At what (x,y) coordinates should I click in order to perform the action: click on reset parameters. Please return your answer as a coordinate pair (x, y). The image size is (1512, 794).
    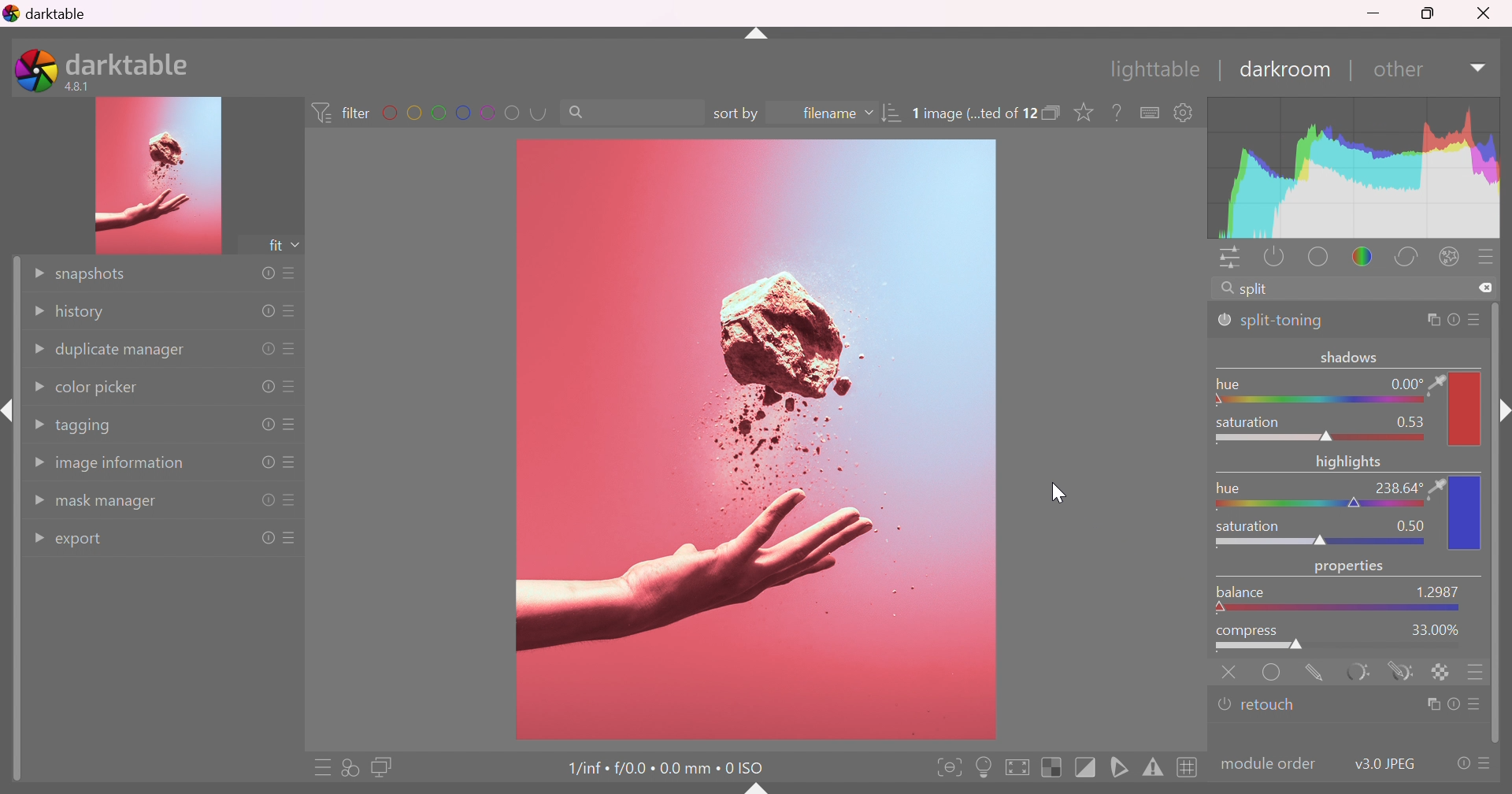
    Looking at the image, I should click on (1455, 706).